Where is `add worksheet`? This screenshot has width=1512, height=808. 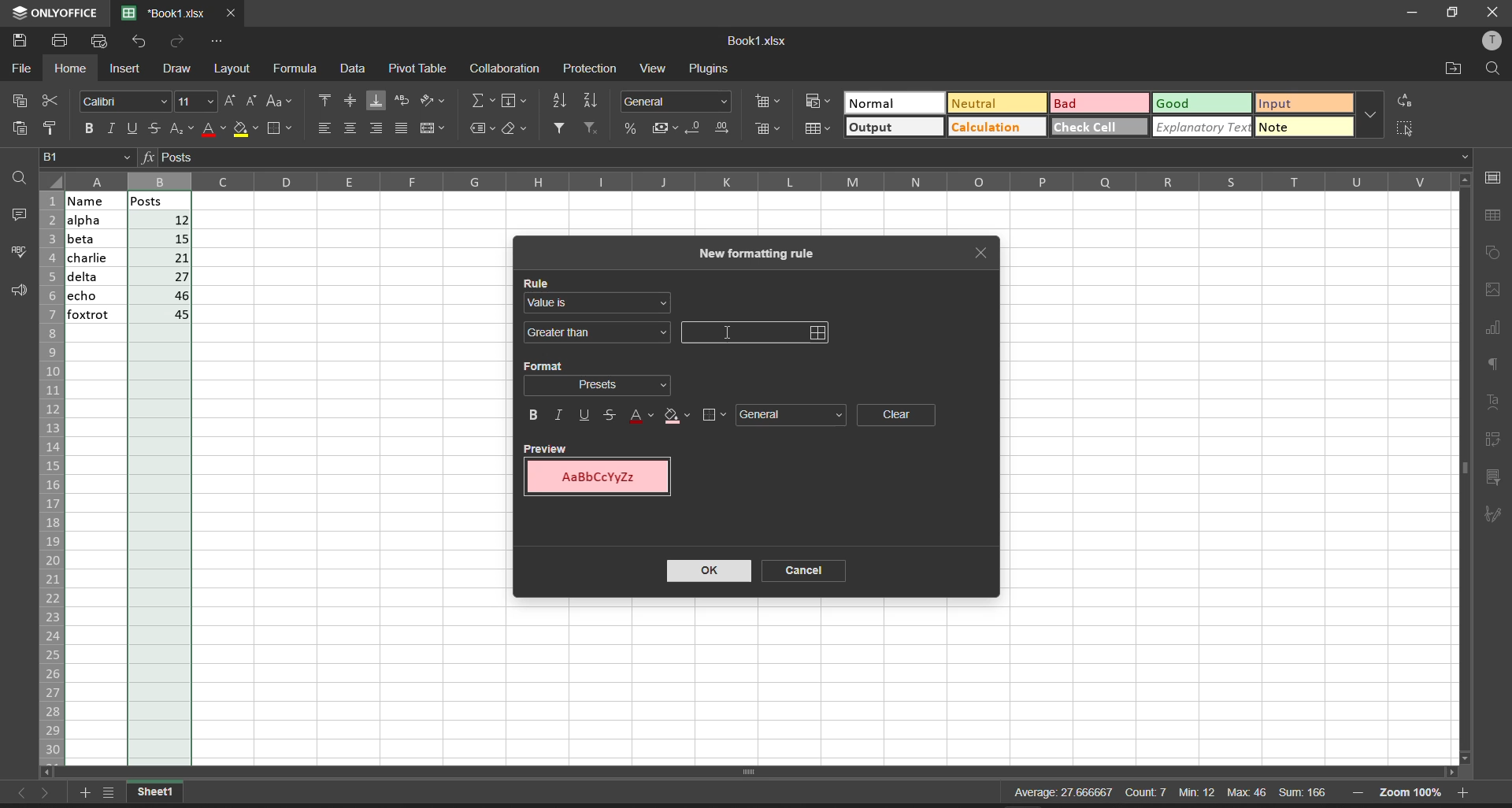
add worksheet is located at coordinates (84, 791).